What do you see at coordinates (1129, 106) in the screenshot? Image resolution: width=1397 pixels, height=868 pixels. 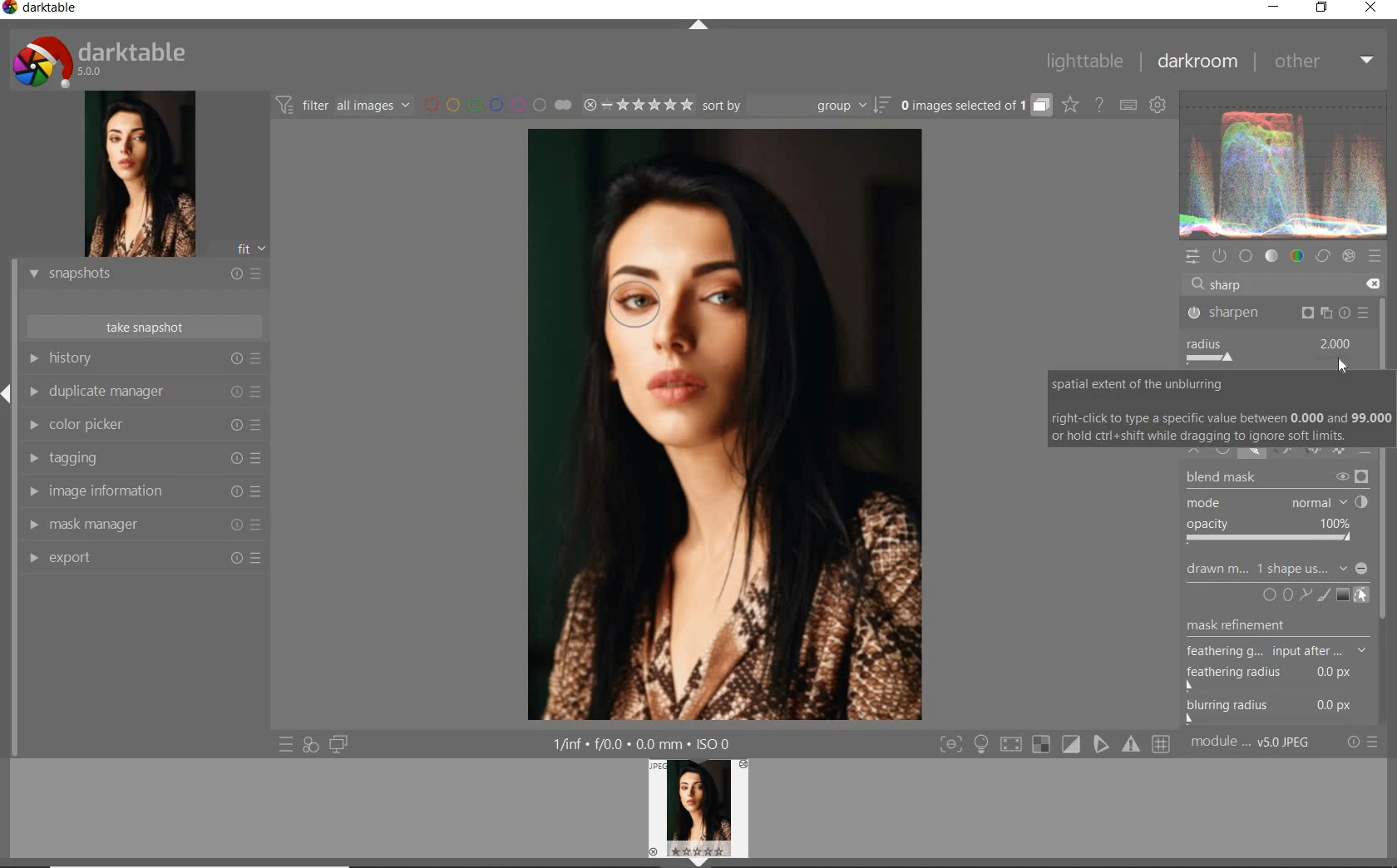 I see `set keyboard shortcuts` at bounding box center [1129, 106].